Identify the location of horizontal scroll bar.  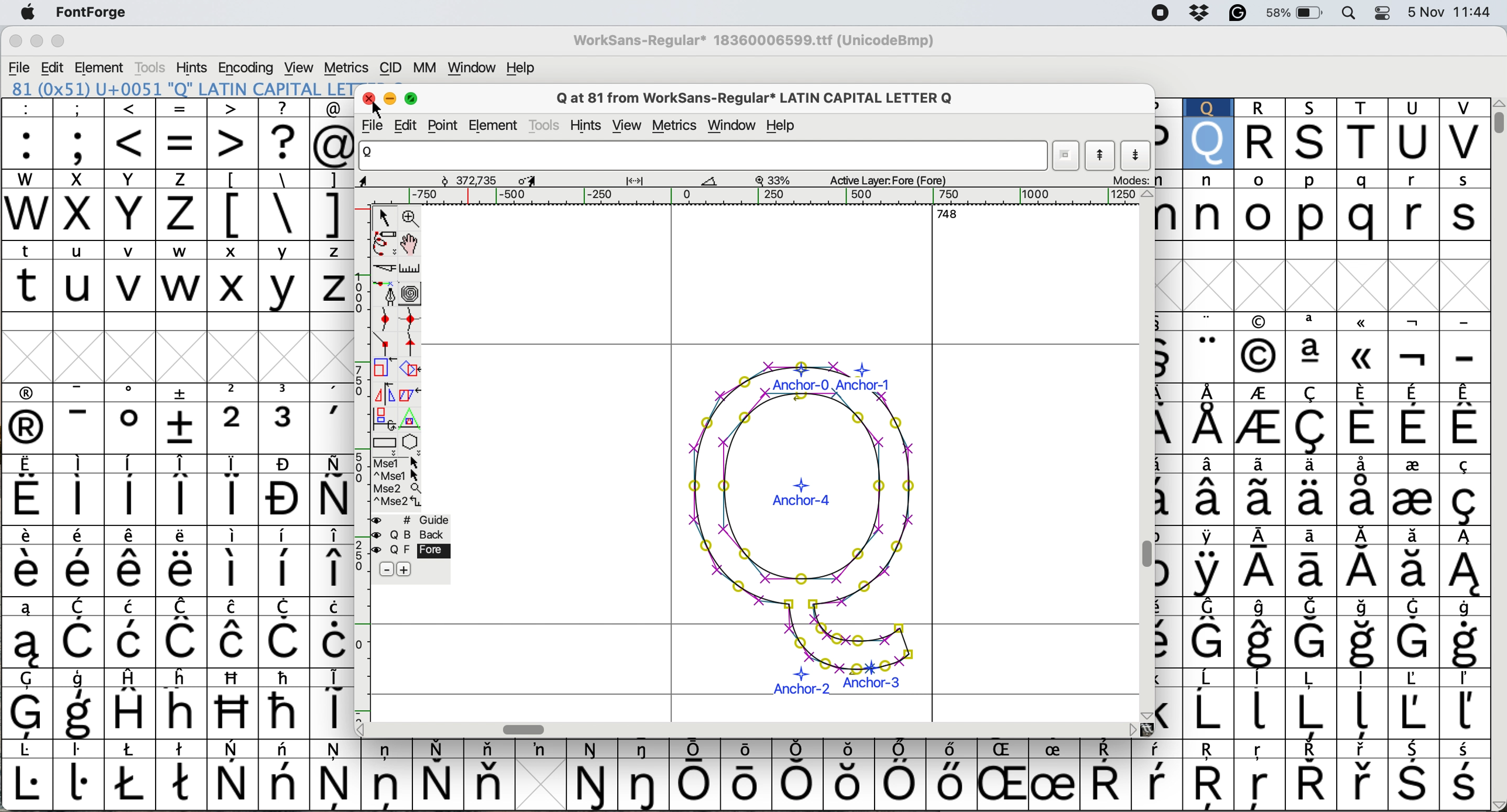
(940, 213).